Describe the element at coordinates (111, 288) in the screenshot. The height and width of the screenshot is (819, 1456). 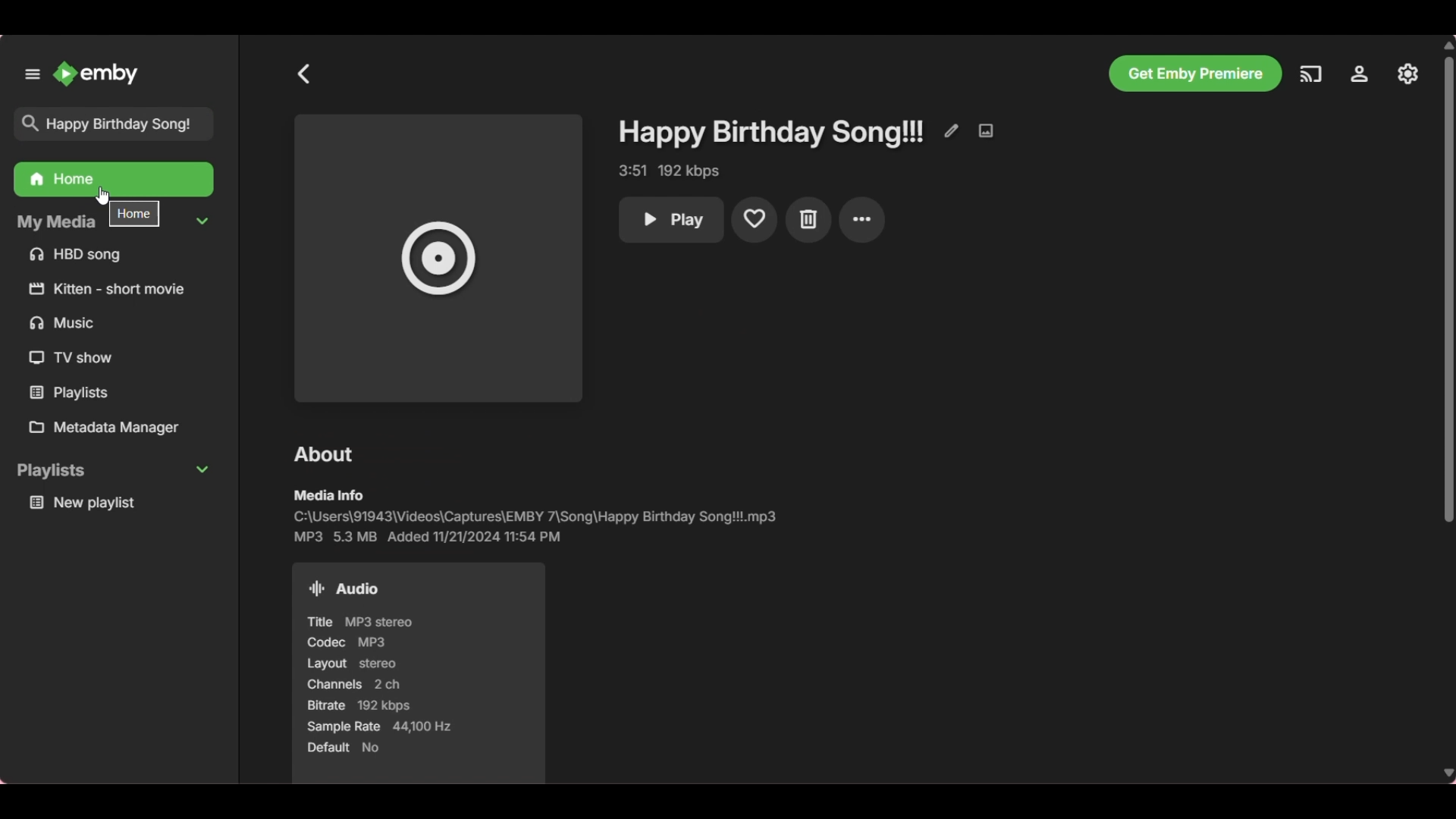
I see `kitten short movie` at that location.